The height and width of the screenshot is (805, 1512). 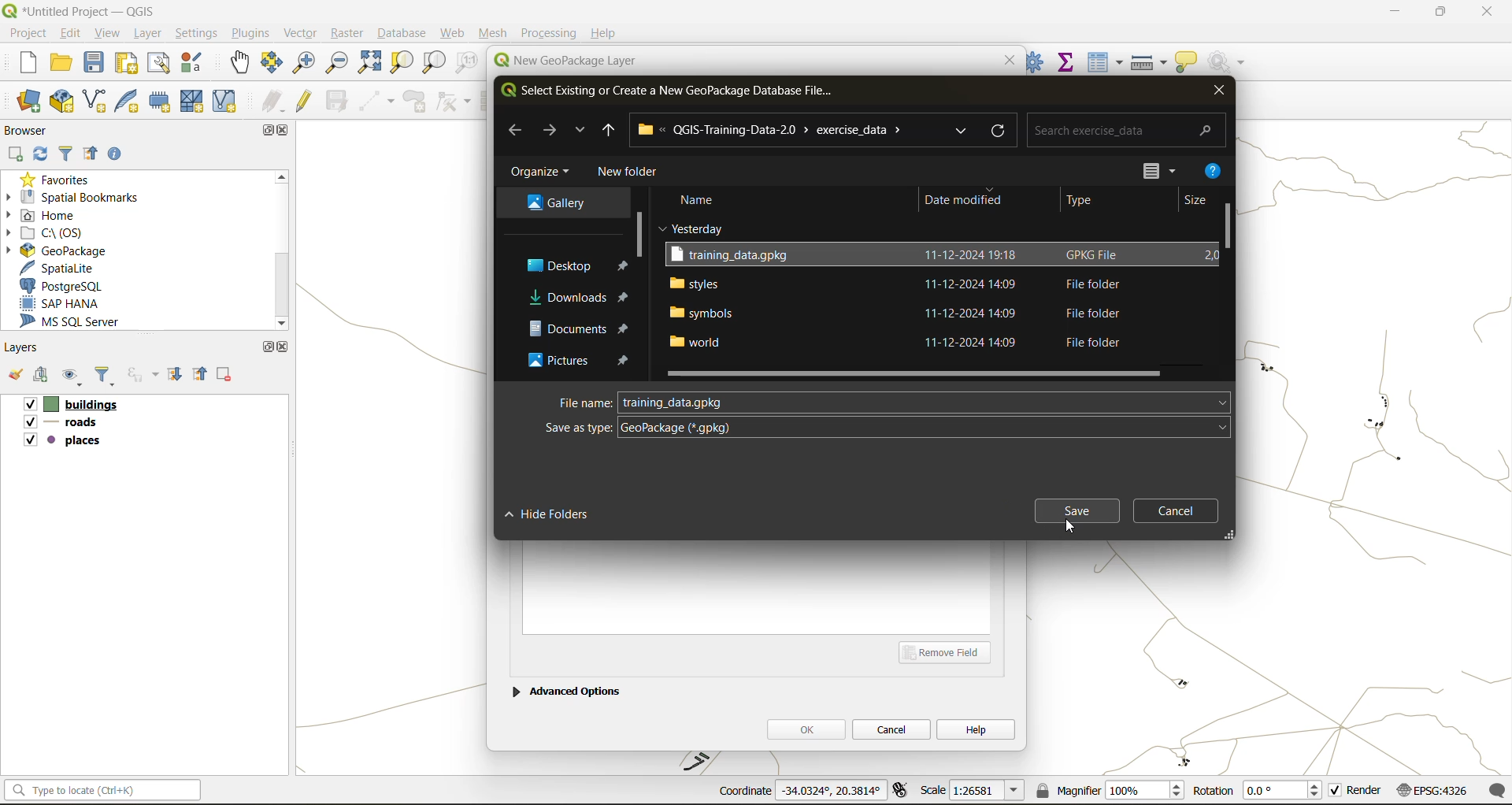 What do you see at coordinates (72, 32) in the screenshot?
I see `edit` at bounding box center [72, 32].